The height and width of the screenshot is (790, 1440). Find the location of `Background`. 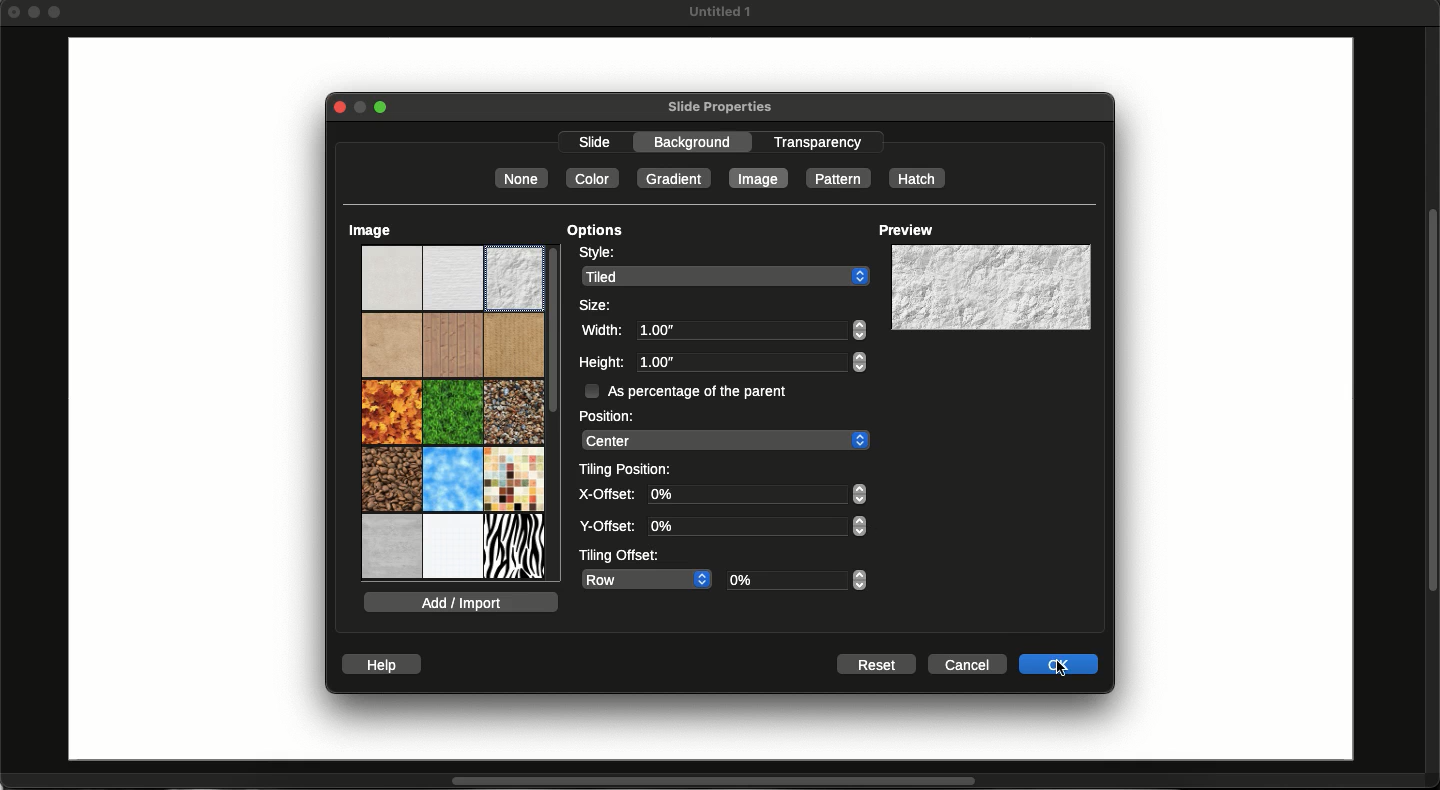

Background is located at coordinates (700, 142).